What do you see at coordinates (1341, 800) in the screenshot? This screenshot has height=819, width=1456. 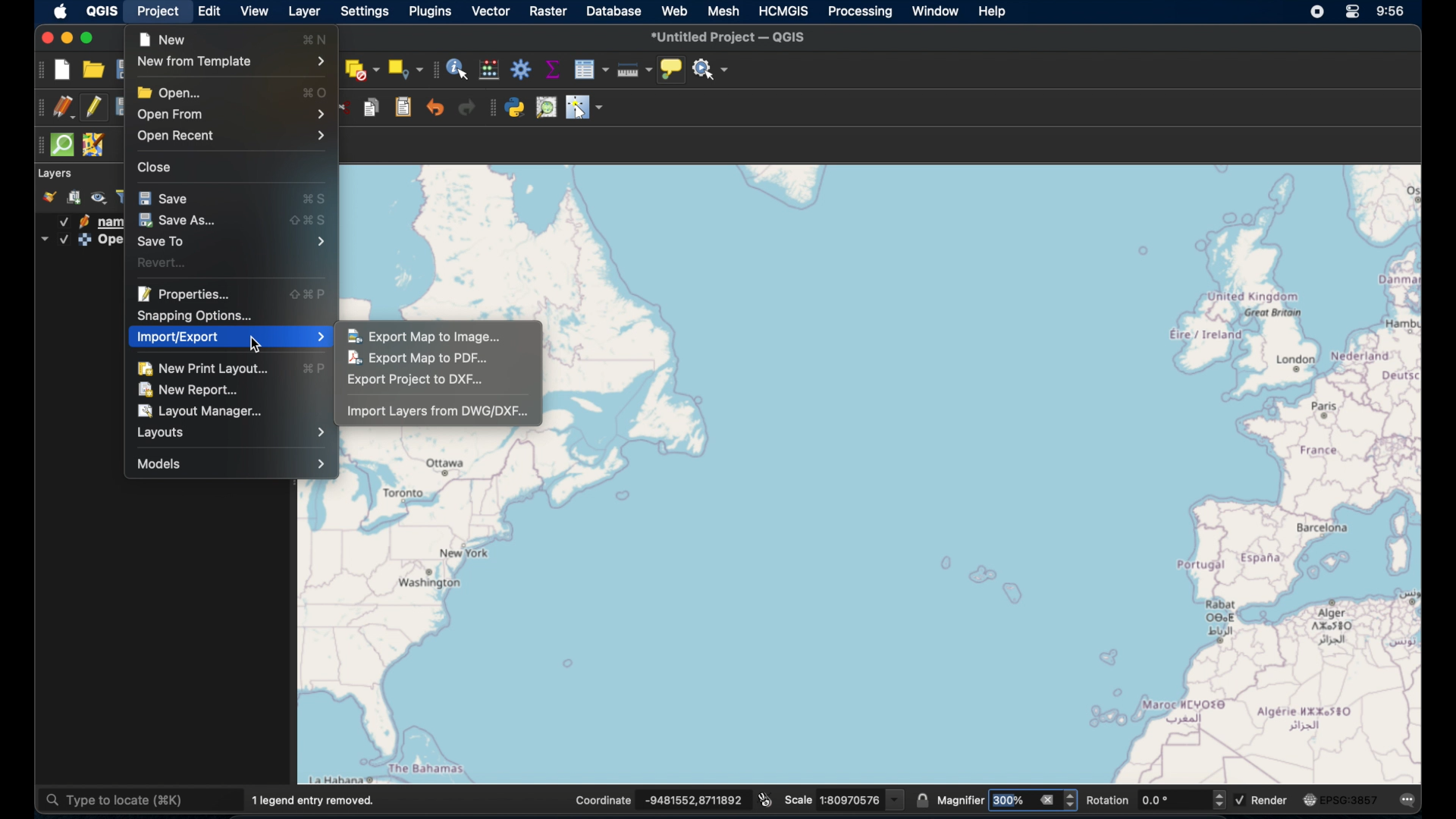 I see `current csr` at bounding box center [1341, 800].